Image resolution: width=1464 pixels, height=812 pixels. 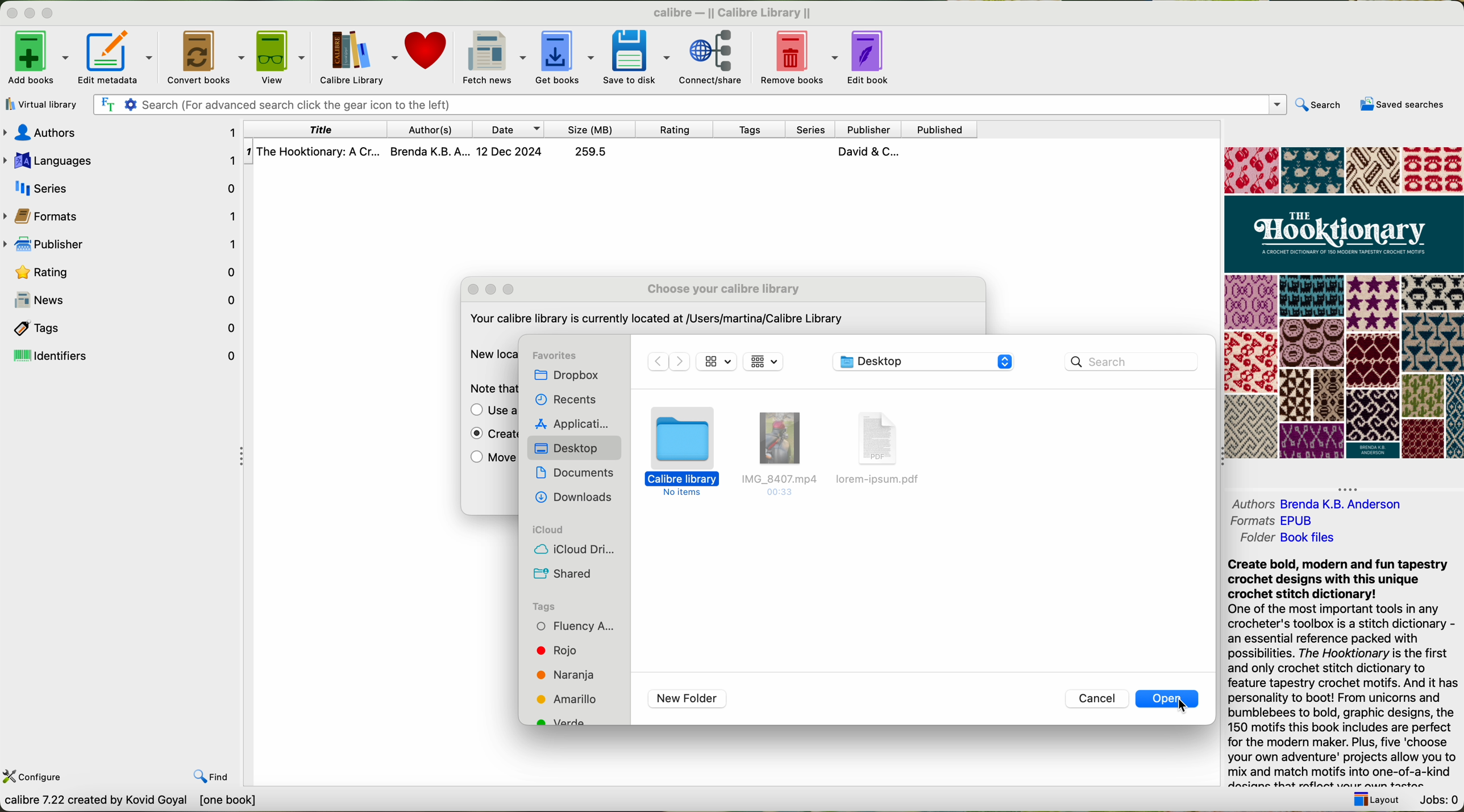 What do you see at coordinates (813, 128) in the screenshot?
I see `series` at bounding box center [813, 128].